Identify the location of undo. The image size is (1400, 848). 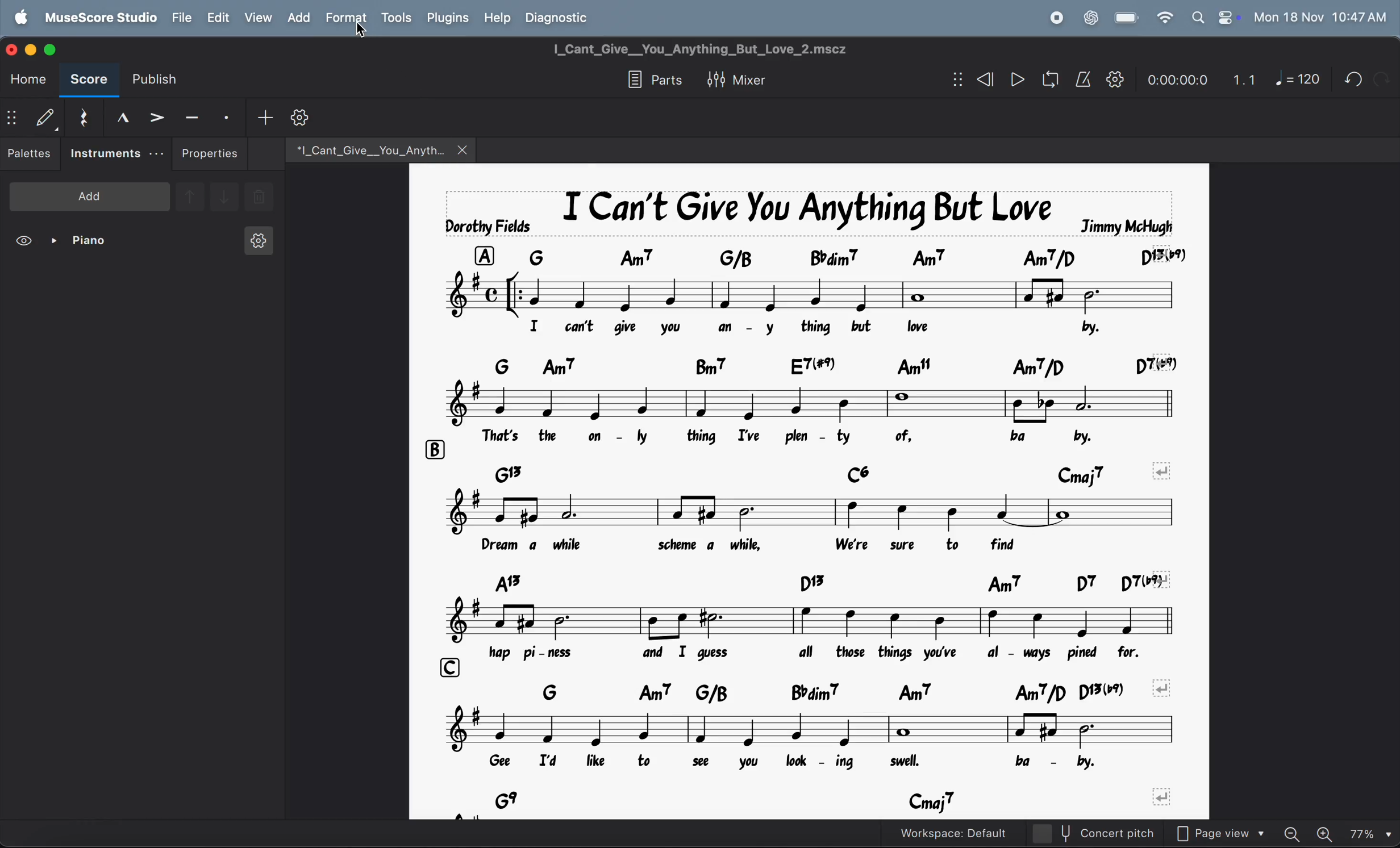
(1381, 78).